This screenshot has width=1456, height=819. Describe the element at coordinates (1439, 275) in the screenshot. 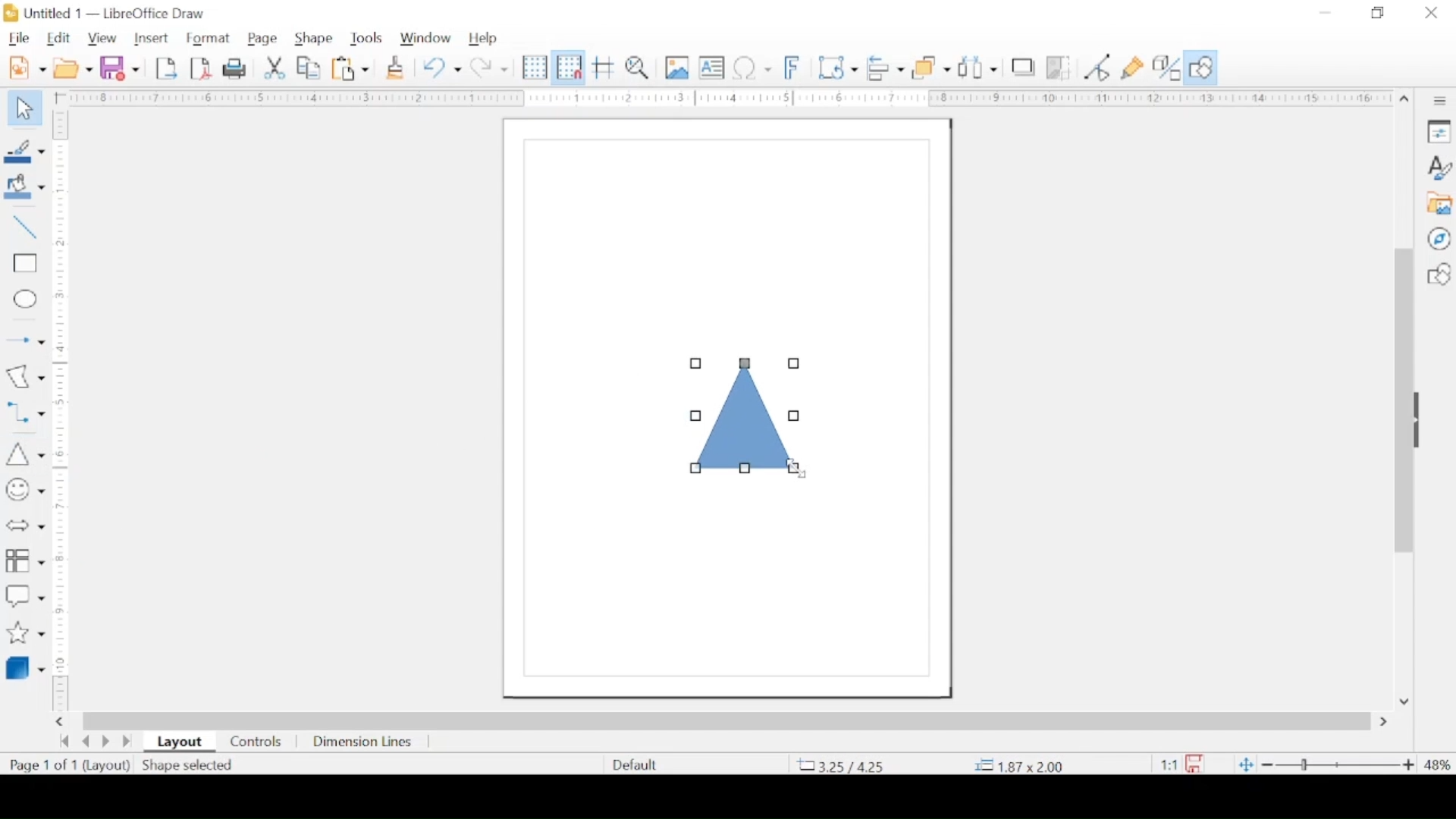

I see `shapes` at that location.